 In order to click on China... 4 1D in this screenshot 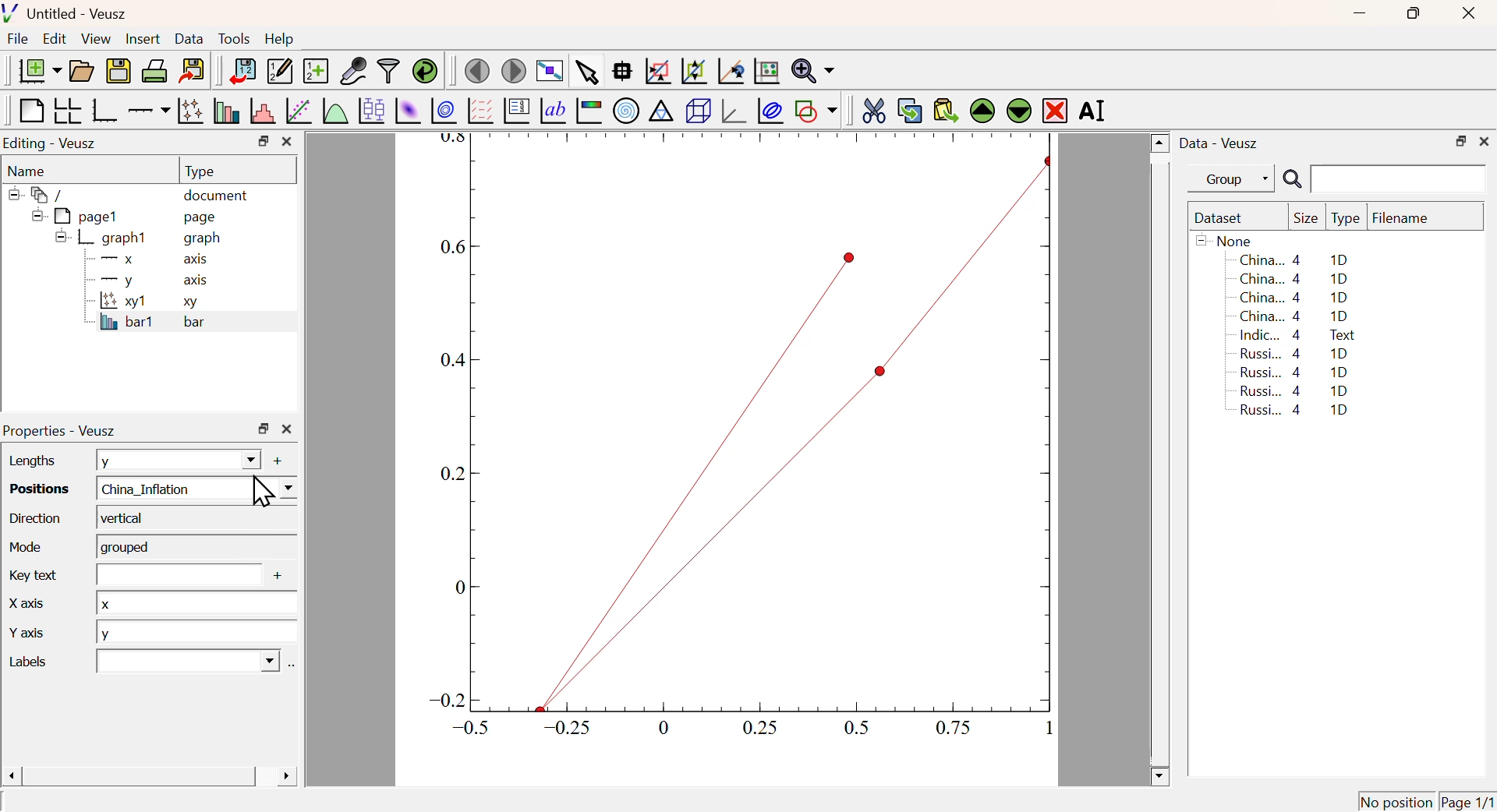, I will do `click(1294, 259)`.